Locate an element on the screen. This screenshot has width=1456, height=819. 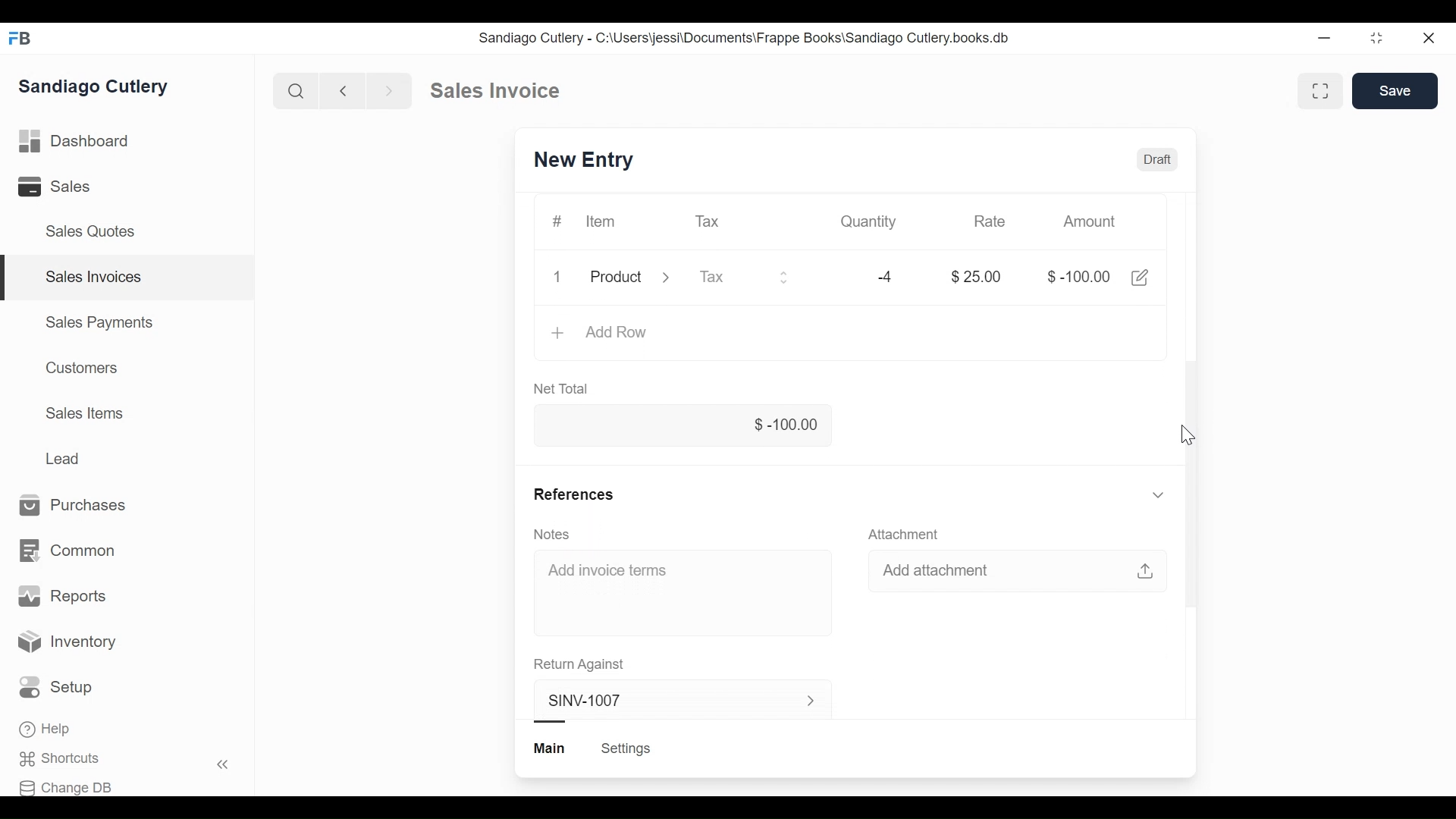
Cursor is located at coordinates (1188, 436).